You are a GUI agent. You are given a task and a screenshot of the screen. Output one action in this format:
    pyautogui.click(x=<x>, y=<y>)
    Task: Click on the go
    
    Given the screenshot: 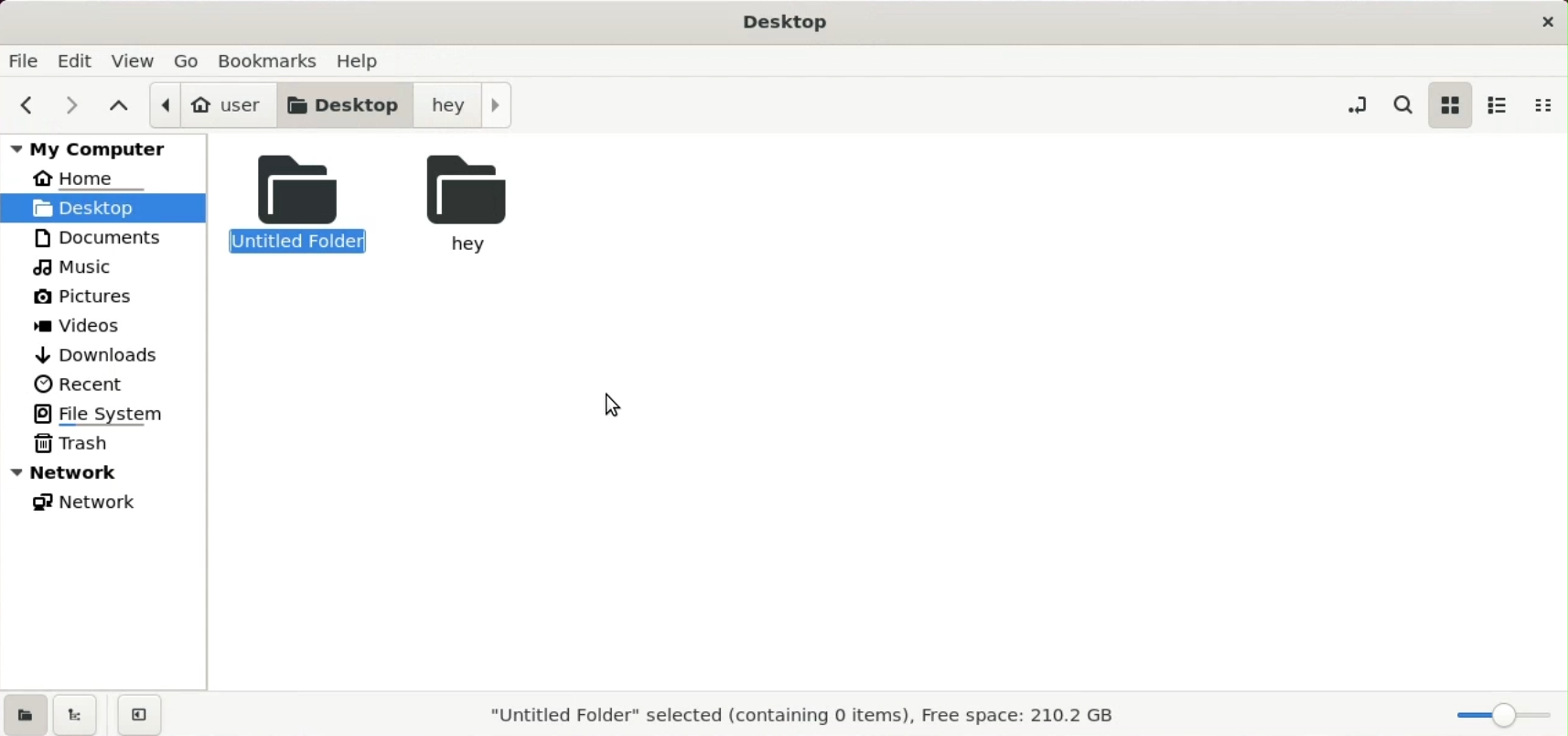 What is the action you would take?
    pyautogui.click(x=192, y=61)
    